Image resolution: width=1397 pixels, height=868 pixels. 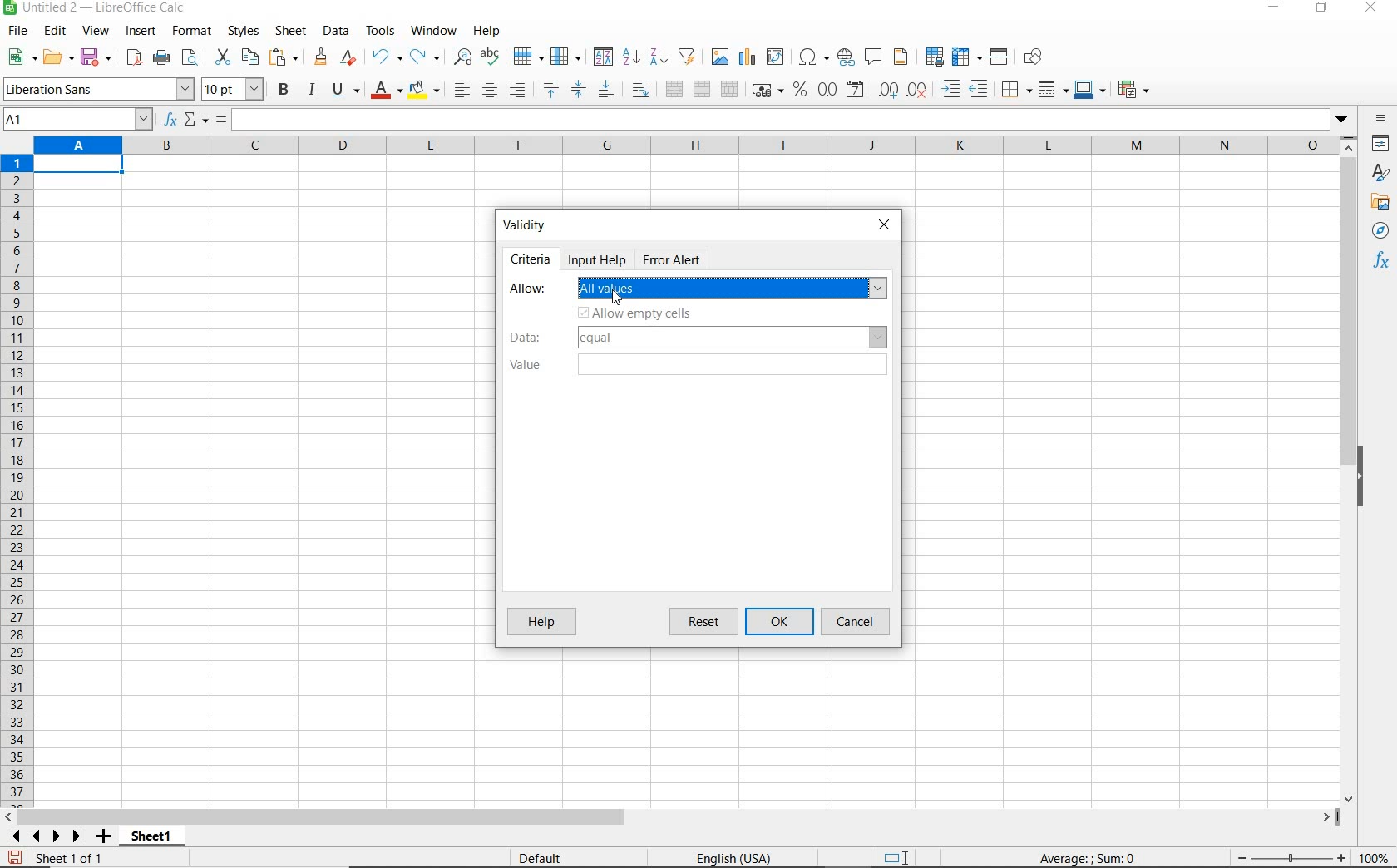 What do you see at coordinates (767, 88) in the screenshot?
I see `format as currency` at bounding box center [767, 88].